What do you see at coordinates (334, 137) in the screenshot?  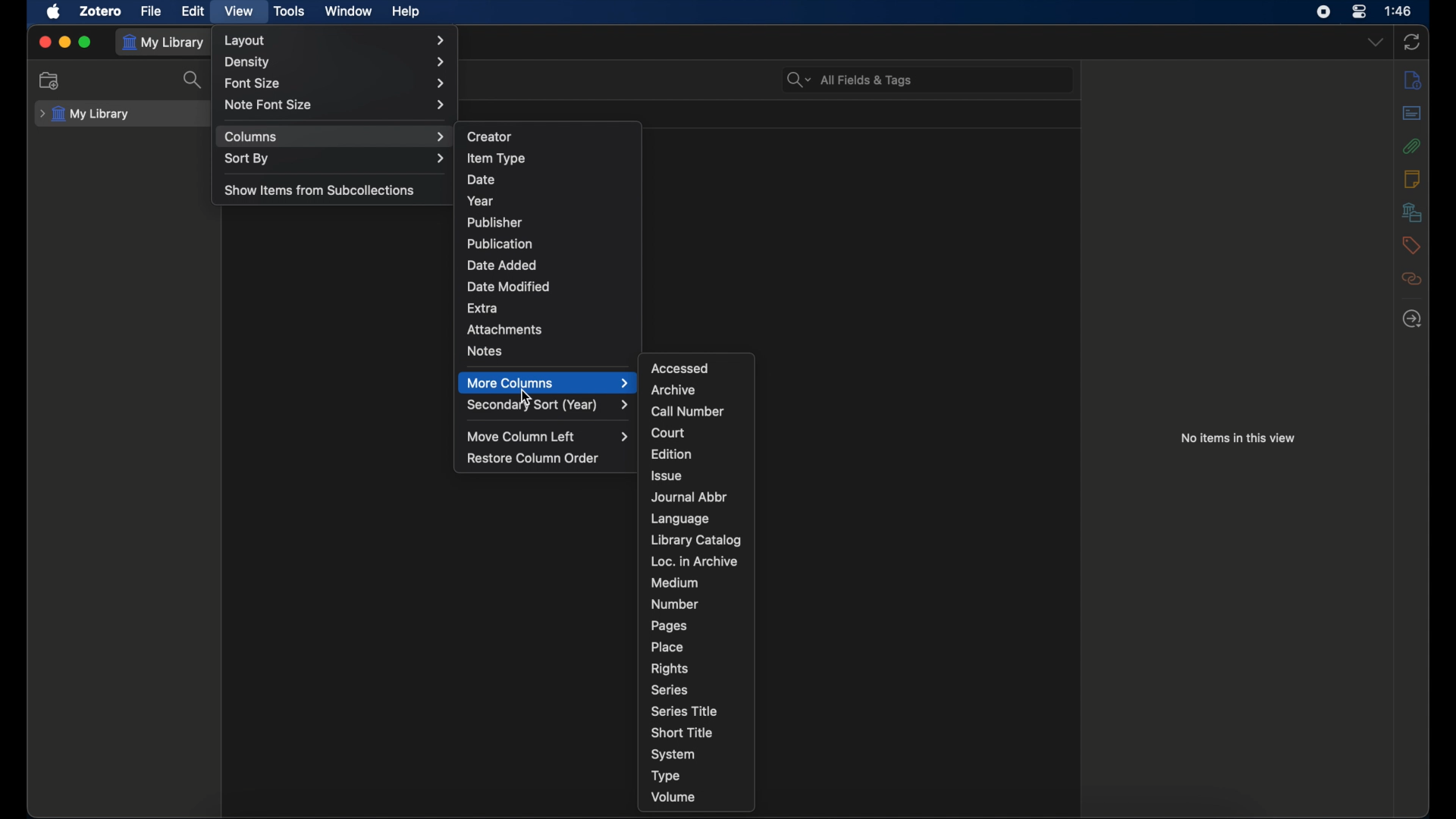 I see `columns` at bounding box center [334, 137].